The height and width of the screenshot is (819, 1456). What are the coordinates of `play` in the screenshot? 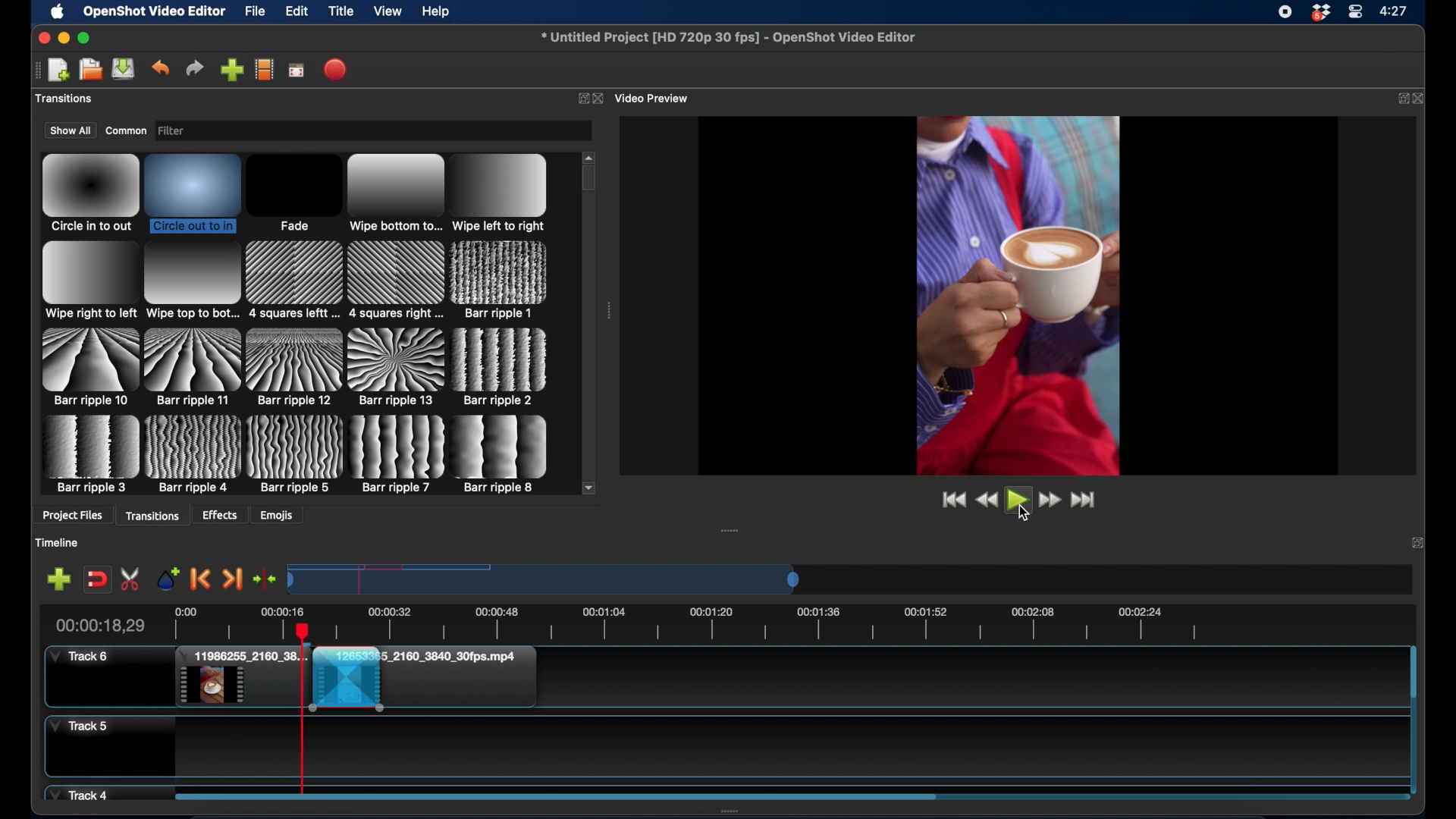 It's located at (1018, 501).